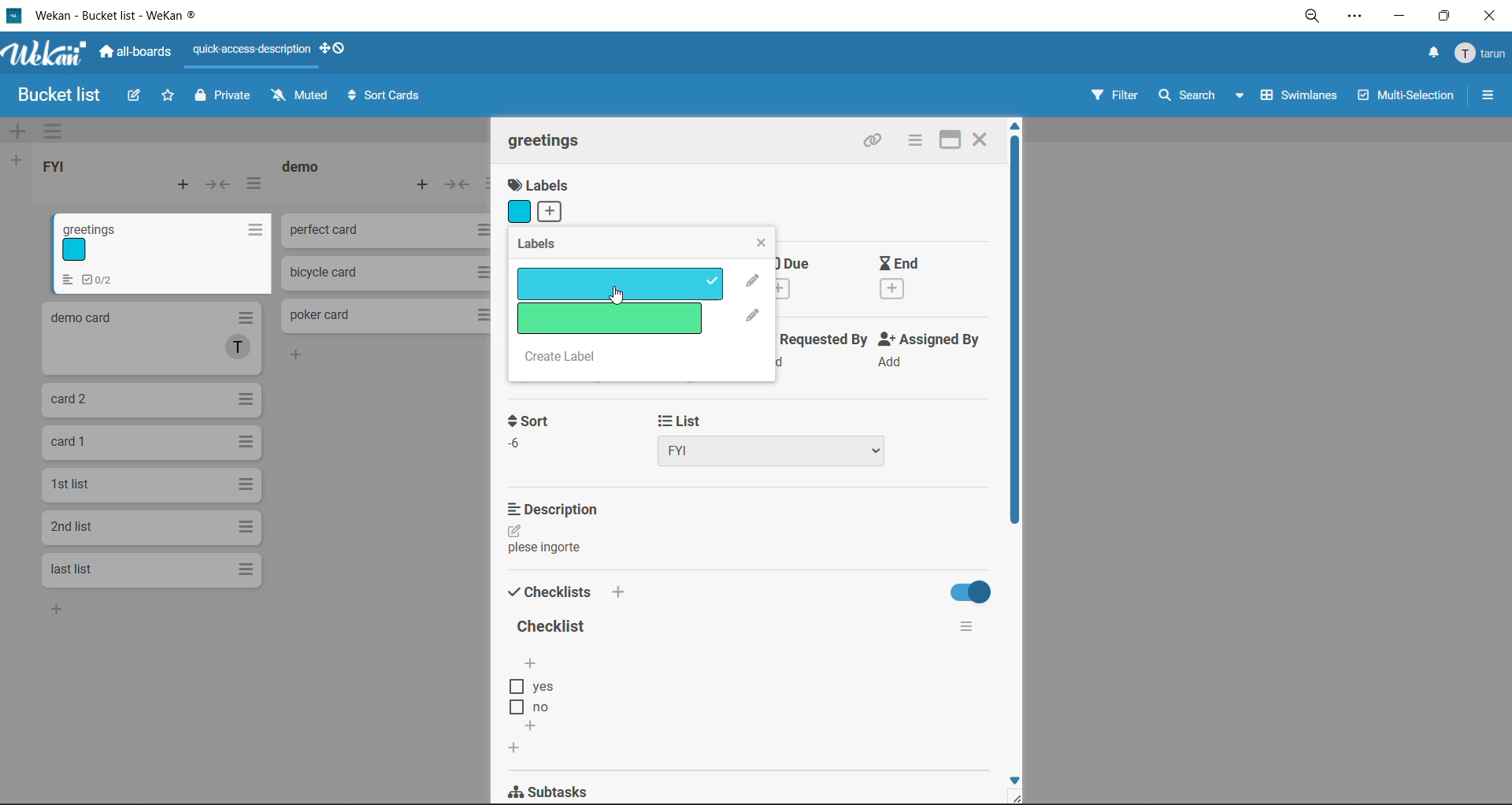 The width and height of the screenshot is (1512, 805). I want to click on app logo, so click(46, 55).